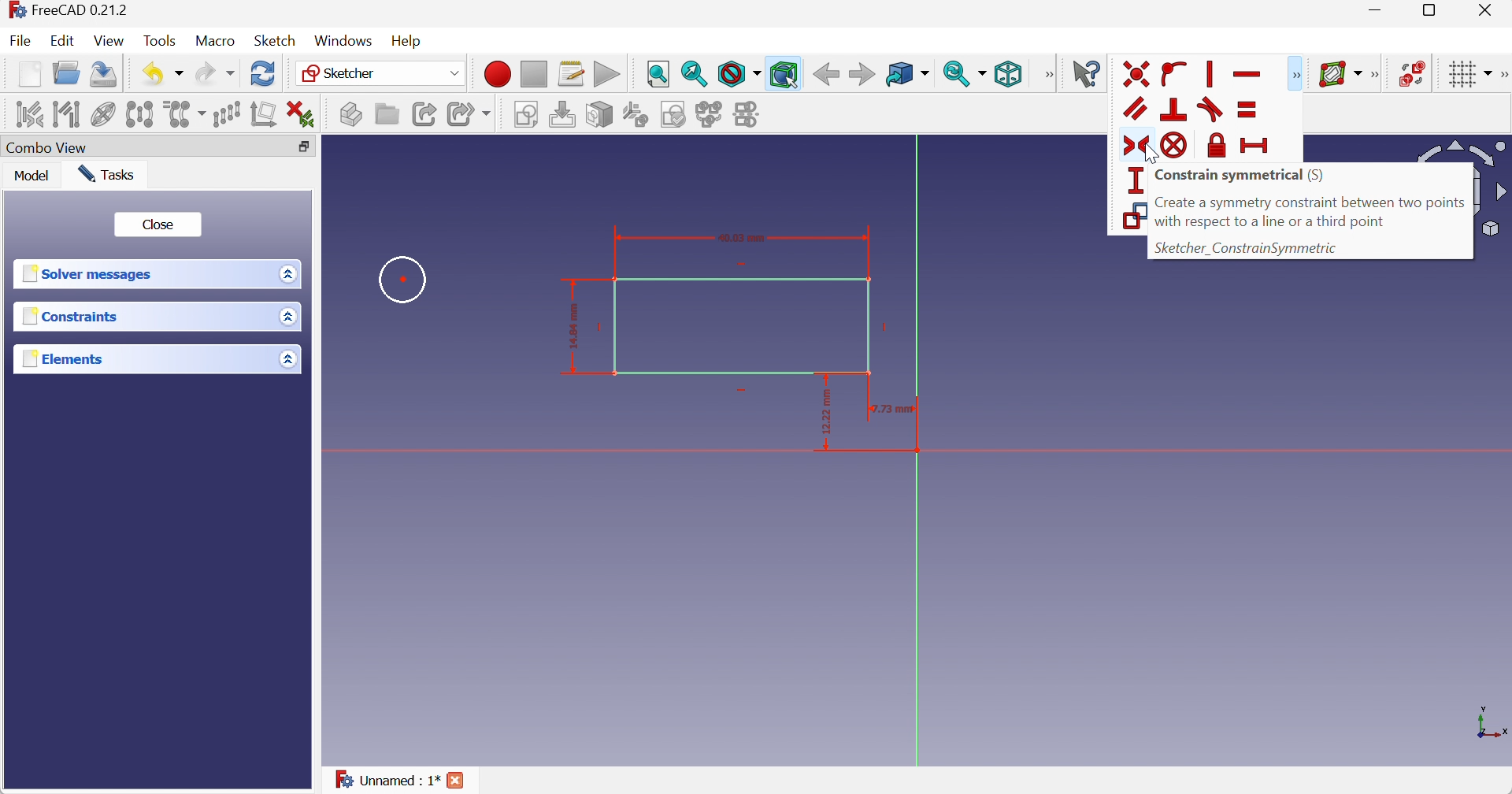 This screenshot has width=1512, height=794. What do you see at coordinates (1486, 11) in the screenshot?
I see `Close` at bounding box center [1486, 11].